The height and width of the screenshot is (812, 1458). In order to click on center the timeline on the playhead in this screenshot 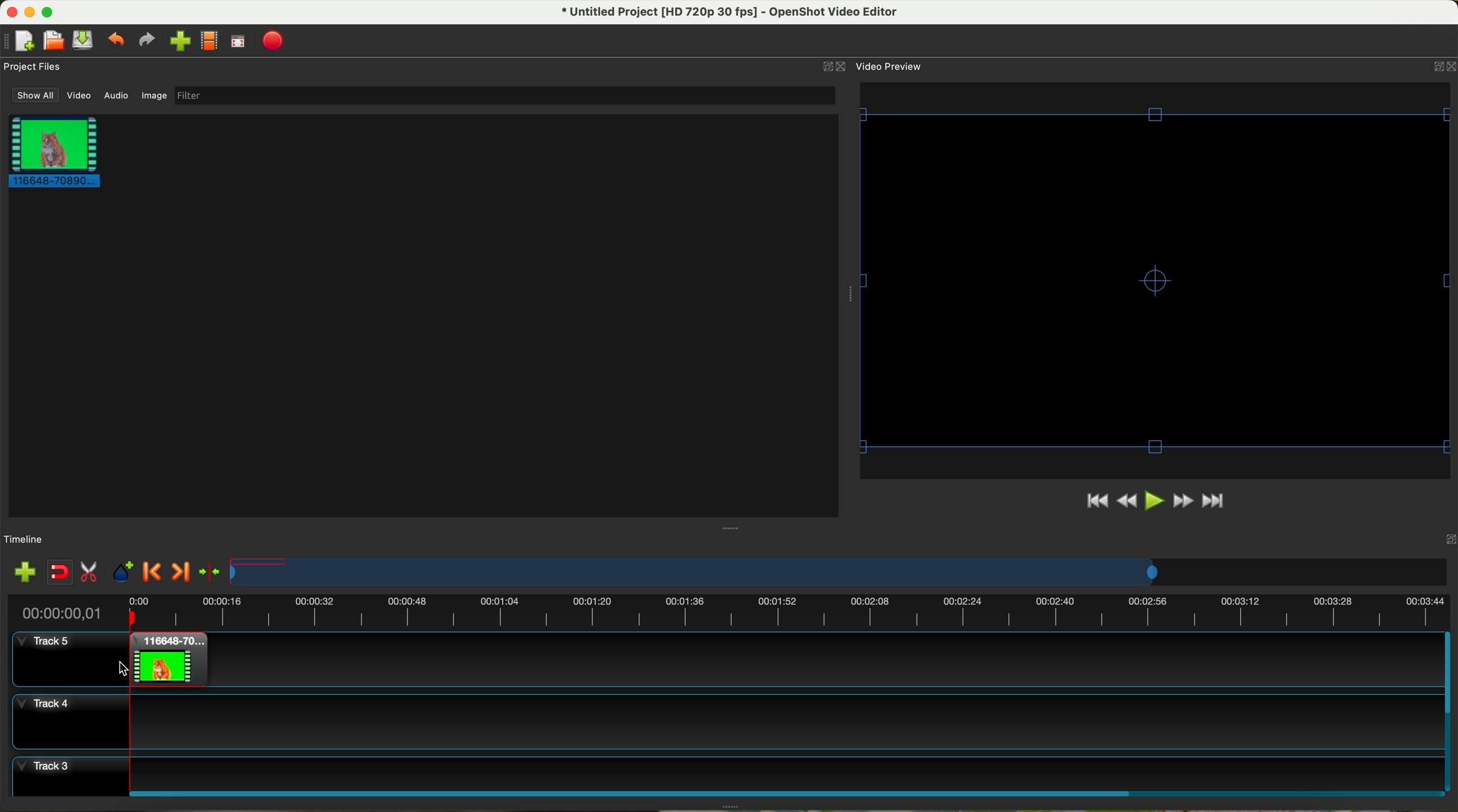, I will do `click(211, 573)`.